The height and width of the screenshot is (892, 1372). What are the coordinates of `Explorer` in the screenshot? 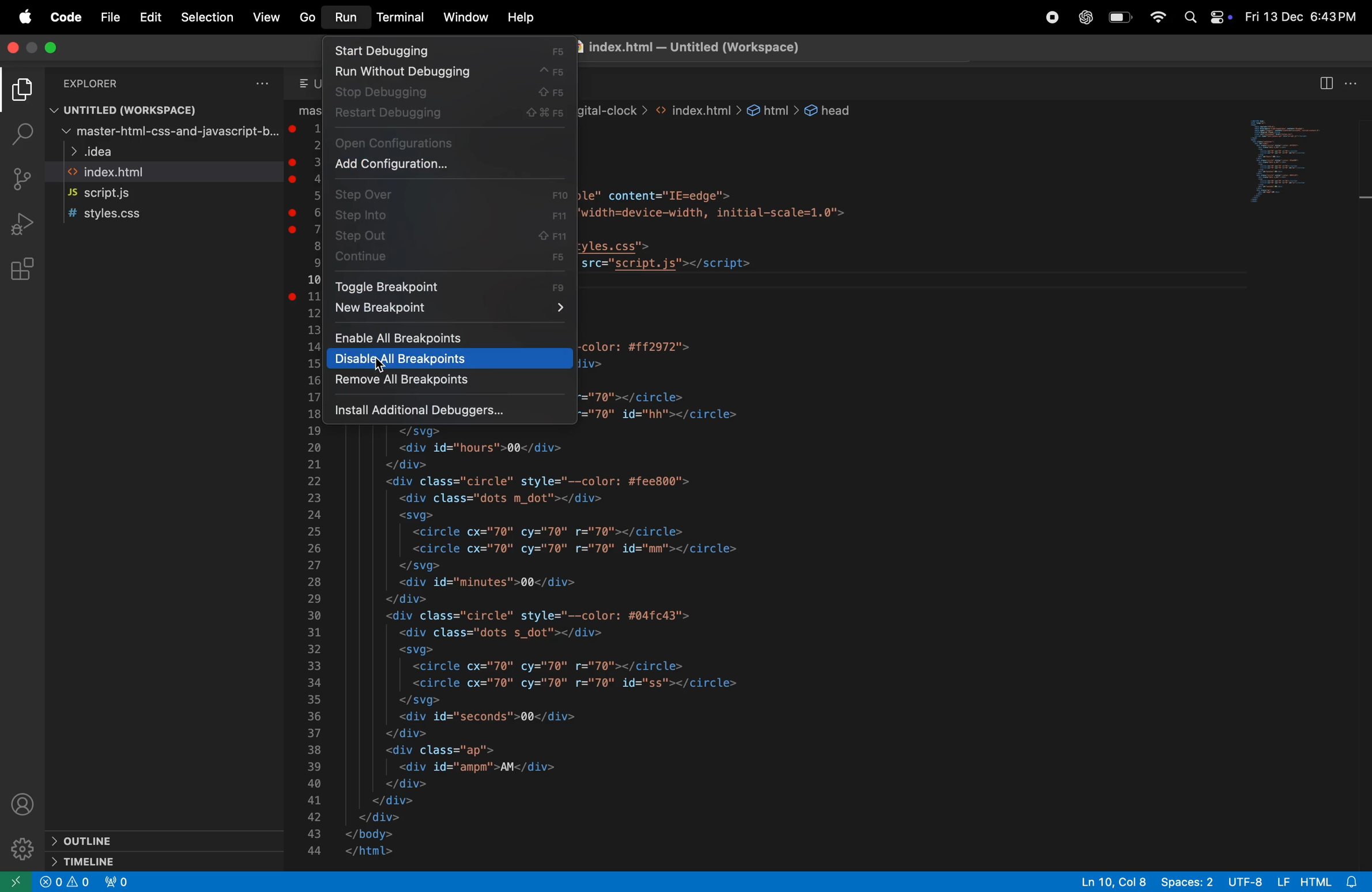 It's located at (96, 83).